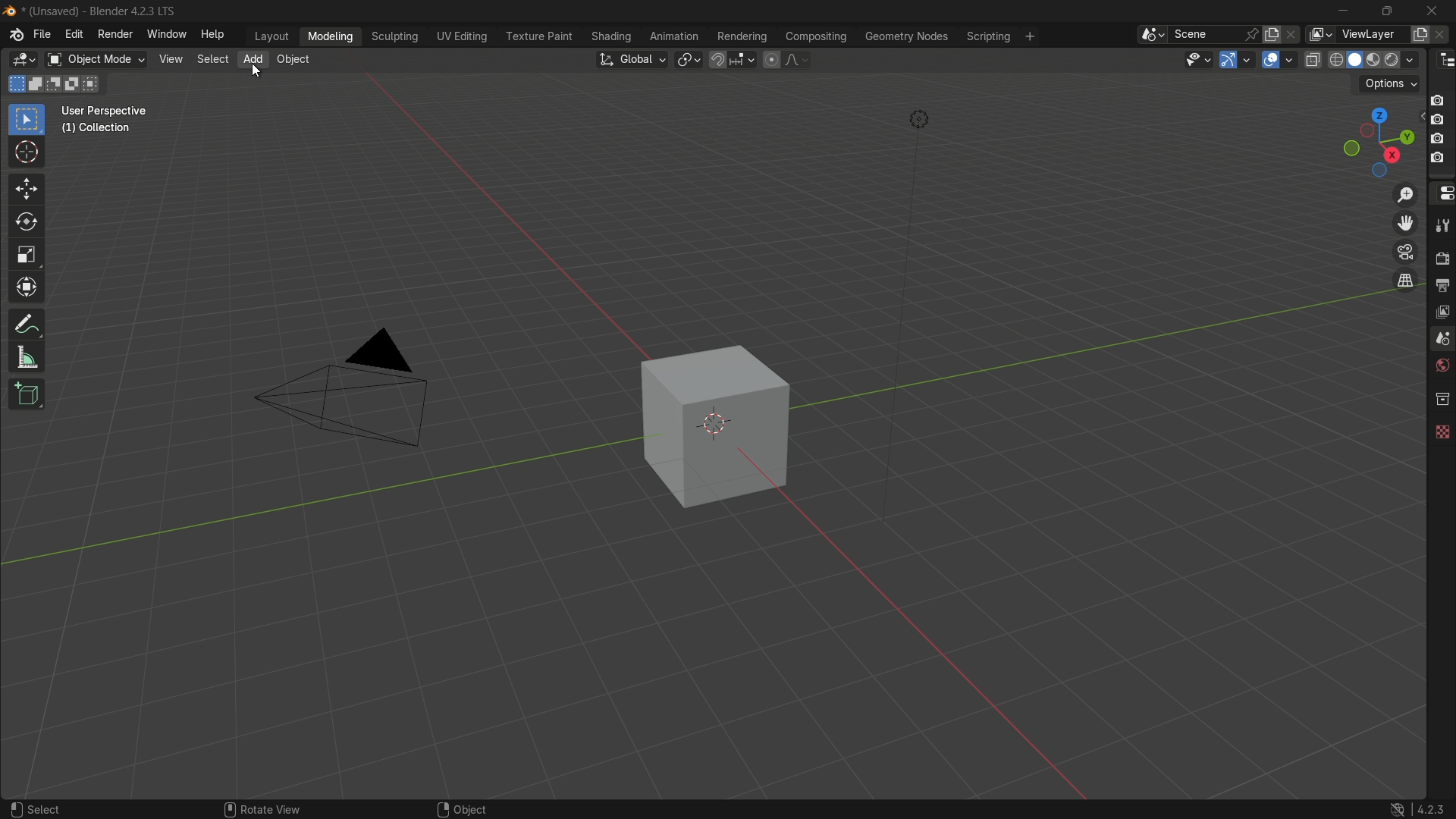 The image size is (1456, 819). What do you see at coordinates (1403, 193) in the screenshot?
I see `zoom in/out` at bounding box center [1403, 193].